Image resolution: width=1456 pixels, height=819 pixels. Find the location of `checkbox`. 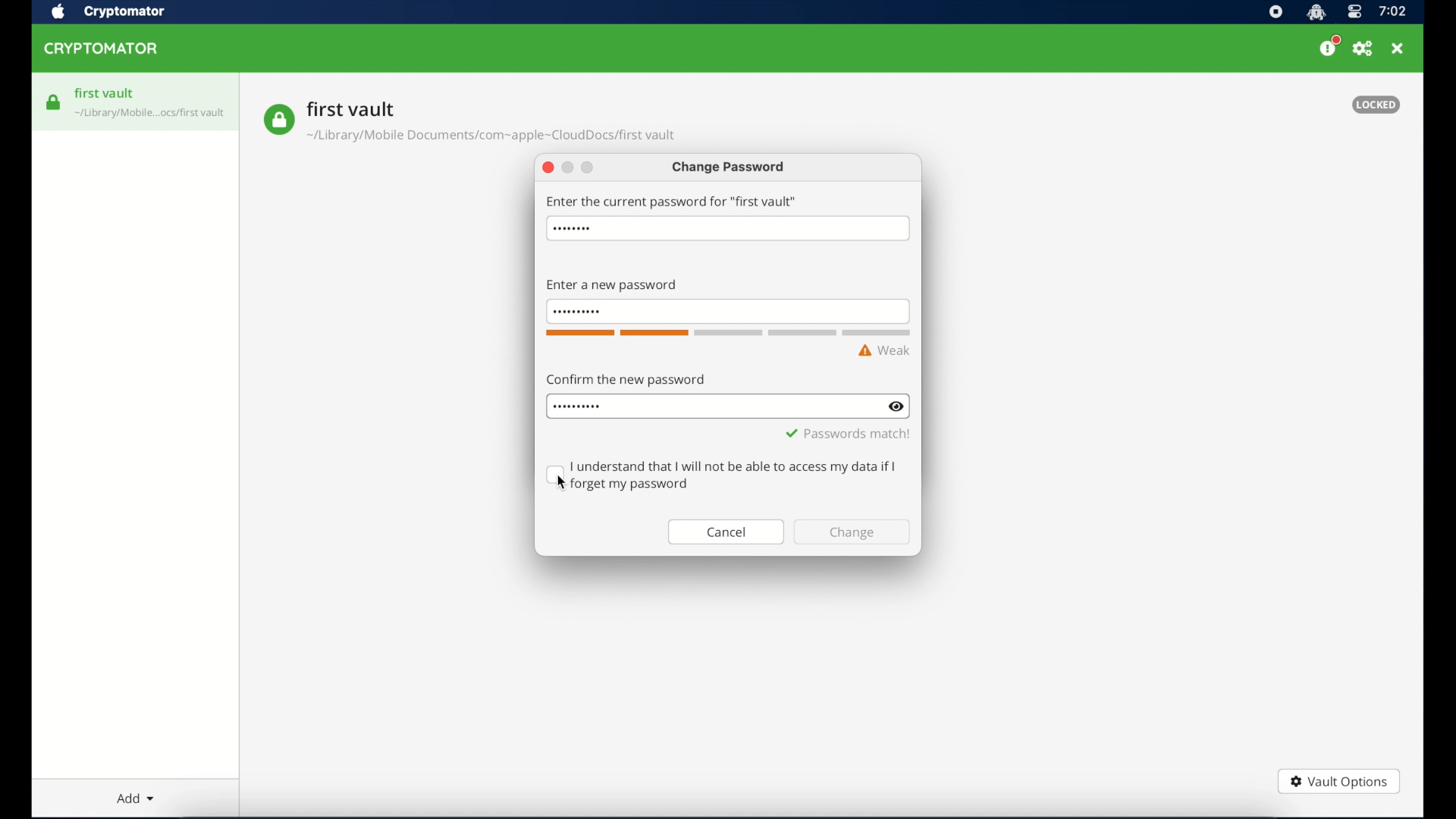

checkbox is located at coordinates (723, 475).